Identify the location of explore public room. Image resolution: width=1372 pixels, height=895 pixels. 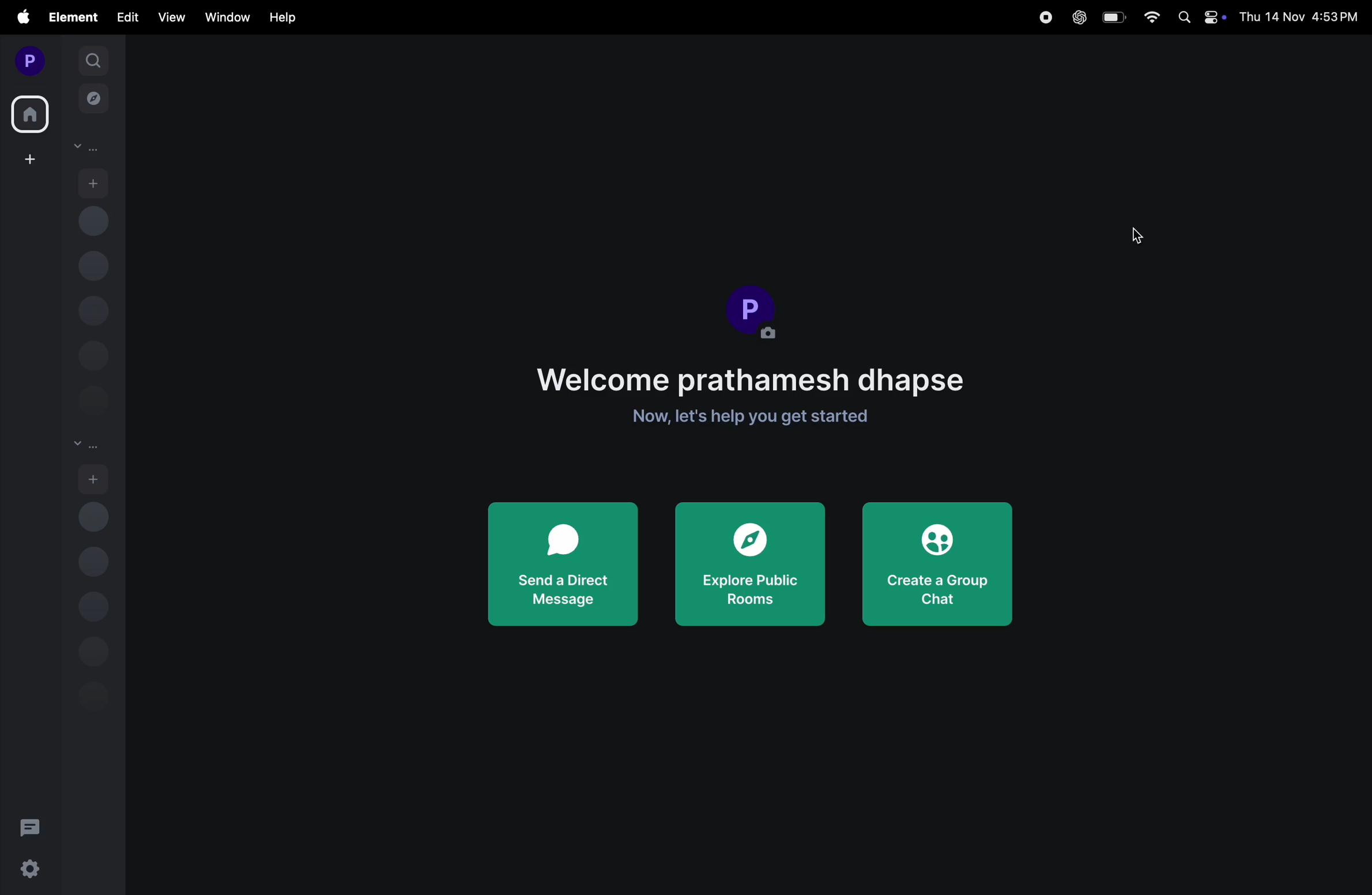
(751, 565).